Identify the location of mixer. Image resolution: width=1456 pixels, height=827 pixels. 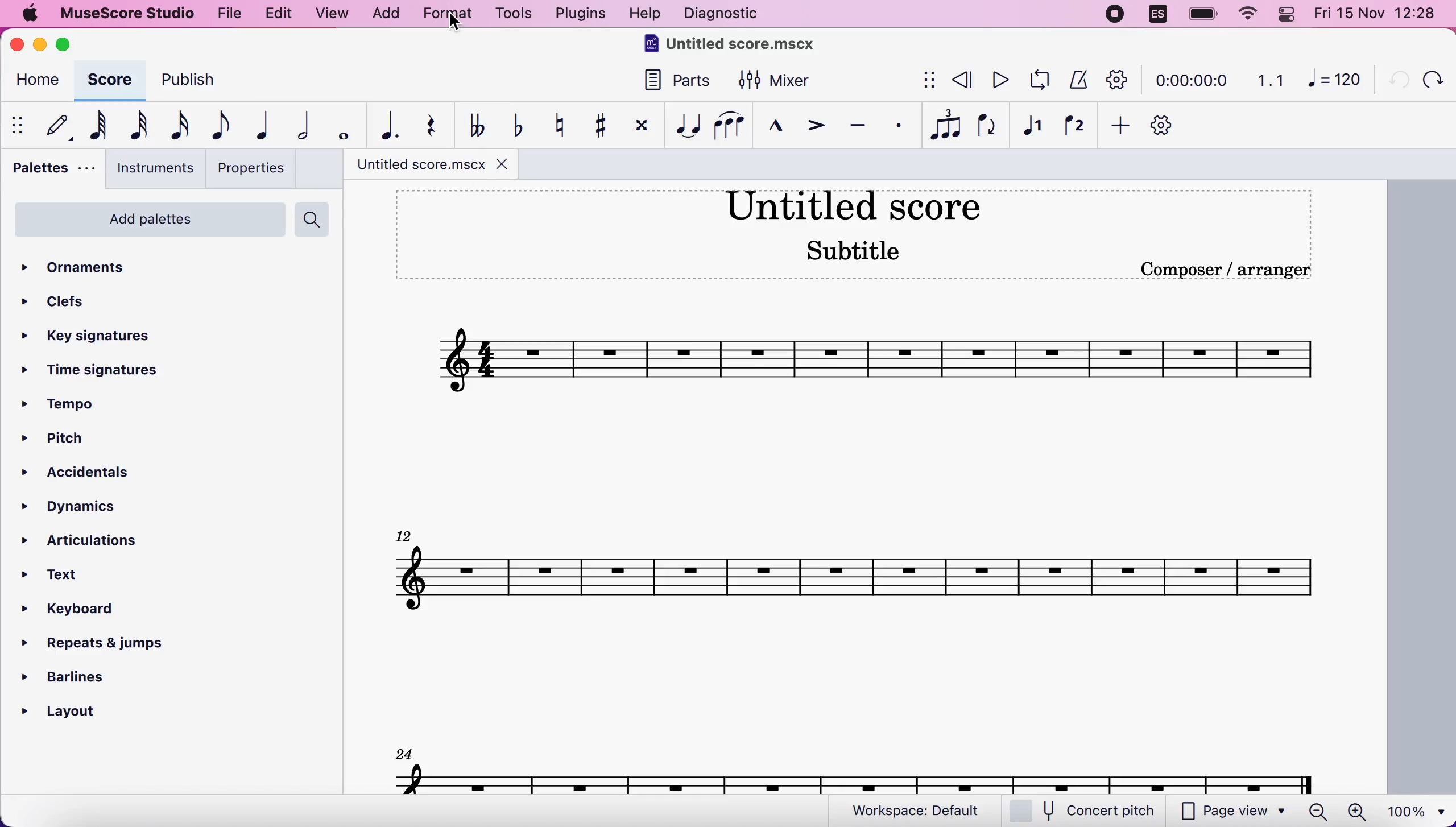
(775, 81).